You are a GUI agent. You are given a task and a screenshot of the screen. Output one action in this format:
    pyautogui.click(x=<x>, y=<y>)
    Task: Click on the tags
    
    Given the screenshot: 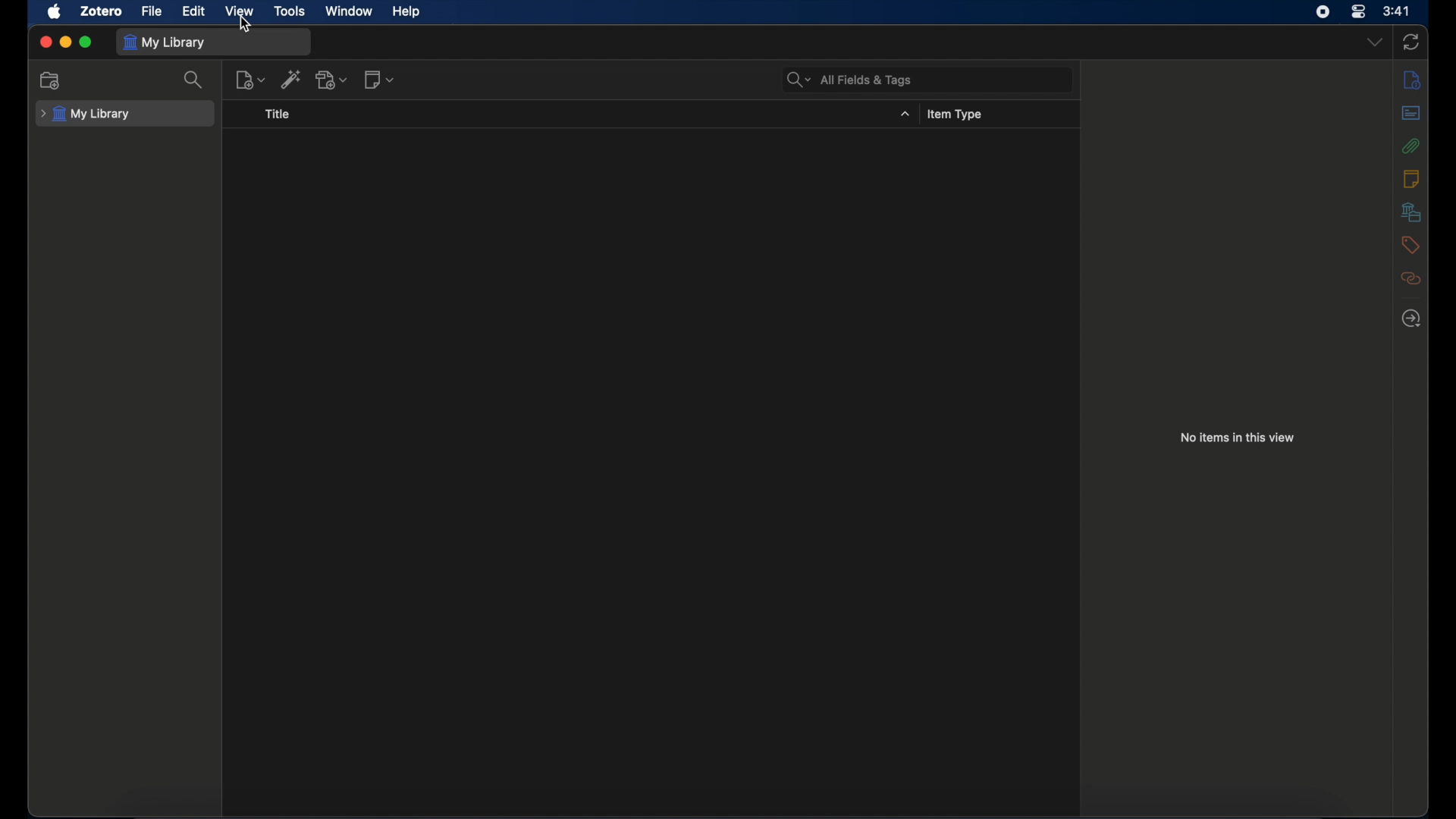 What is the action you would take?
    pyautogui.click(x=1411, y=244)
    